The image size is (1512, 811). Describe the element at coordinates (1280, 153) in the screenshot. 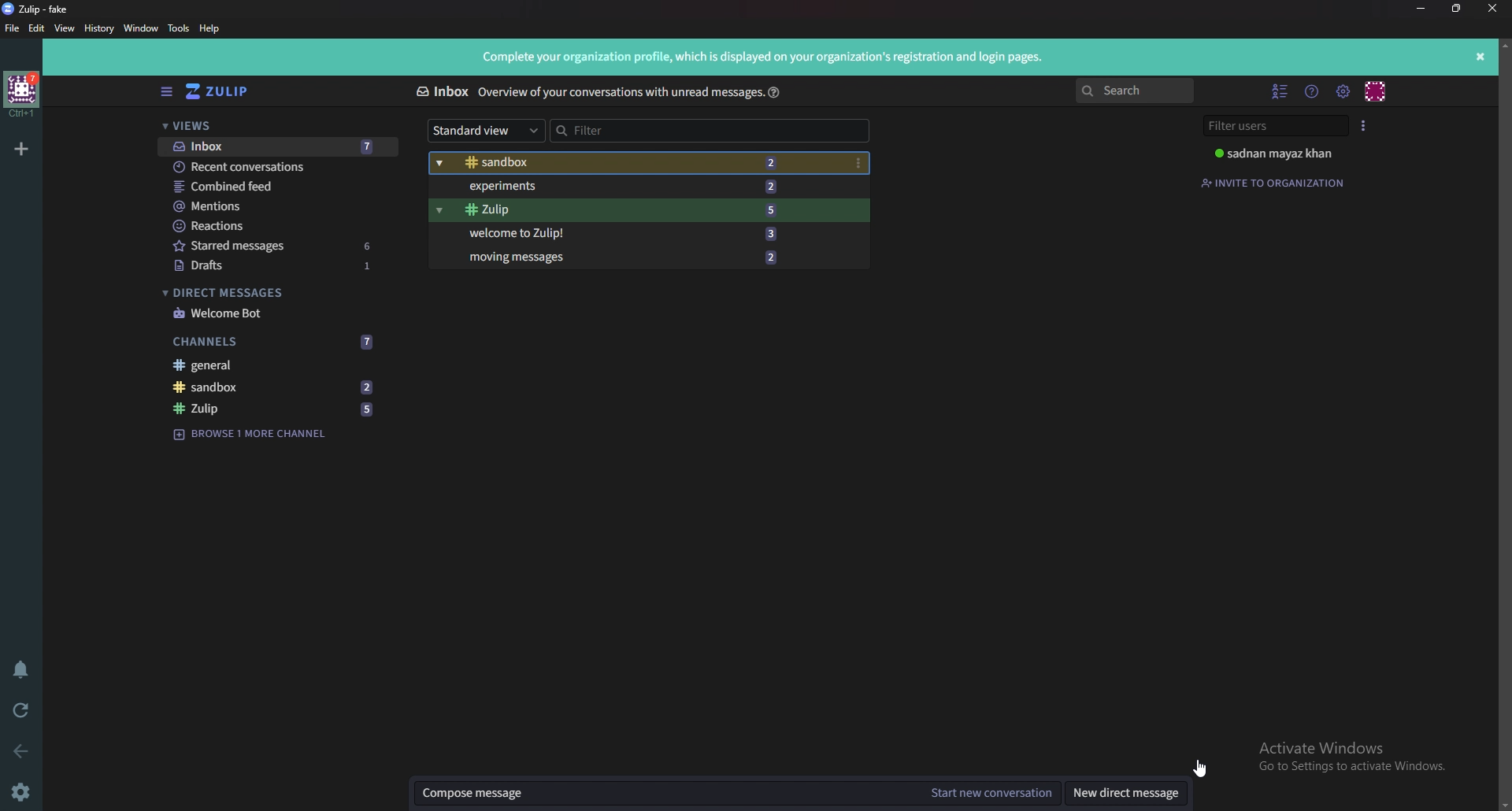

I see `User` at that location.